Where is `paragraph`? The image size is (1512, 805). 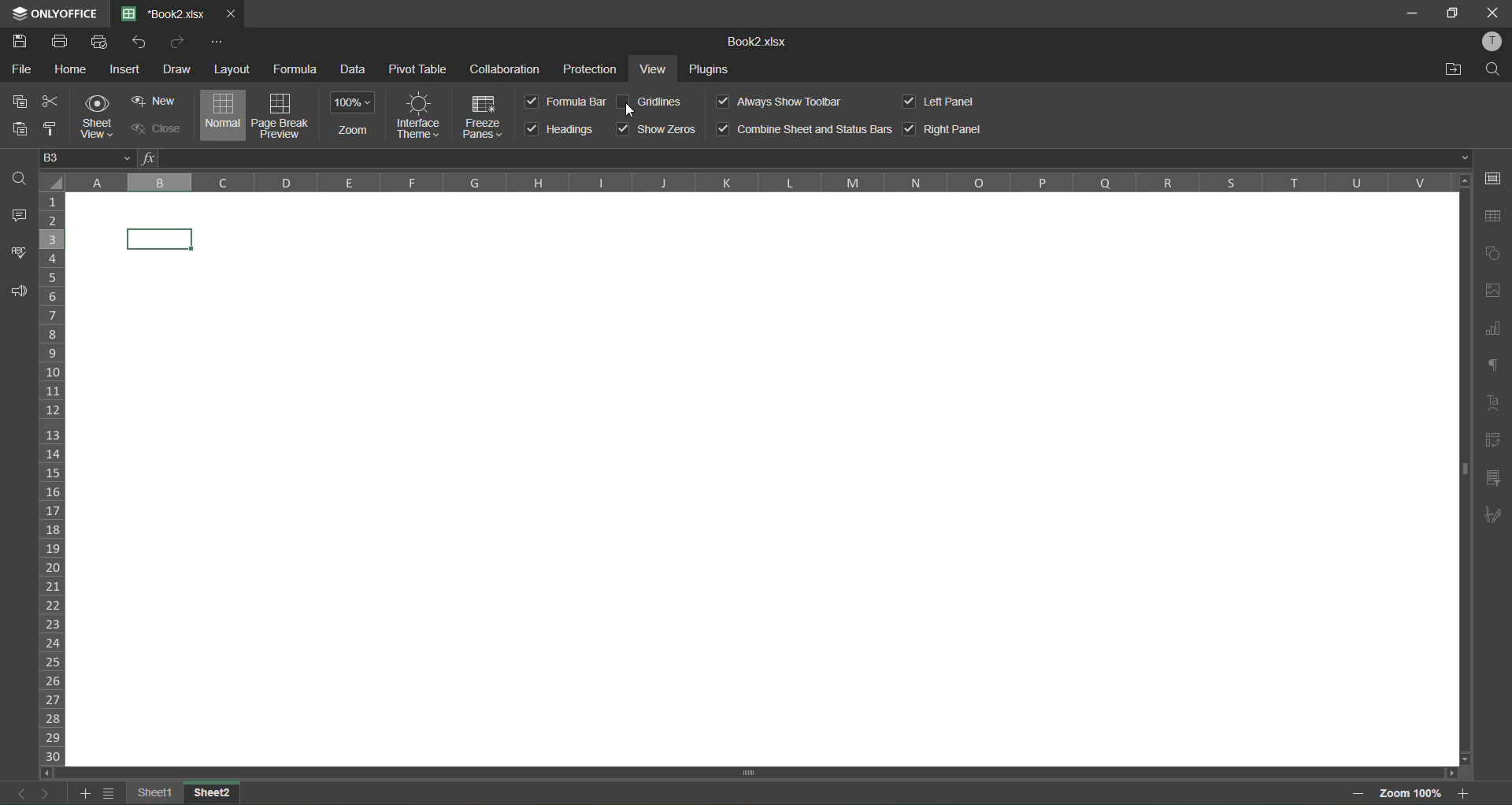 paragraph is located at coordinates (1496, 367).